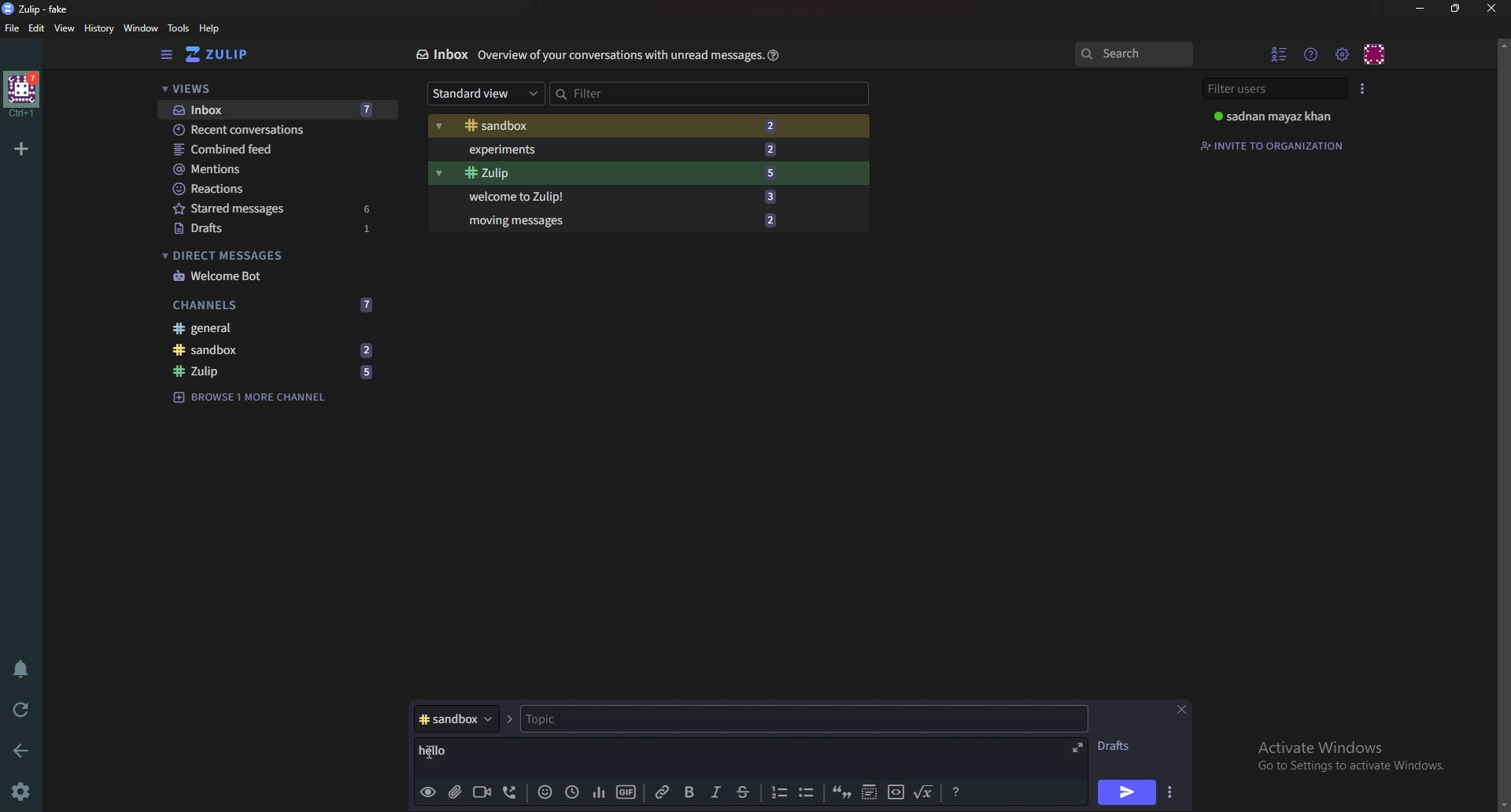 Image resolution: width=1511 pixels, height=812 pixels. What do you see at coordinates (715, 793) in the screenshot?
I see `Italic` at bounding box center [715, 793].